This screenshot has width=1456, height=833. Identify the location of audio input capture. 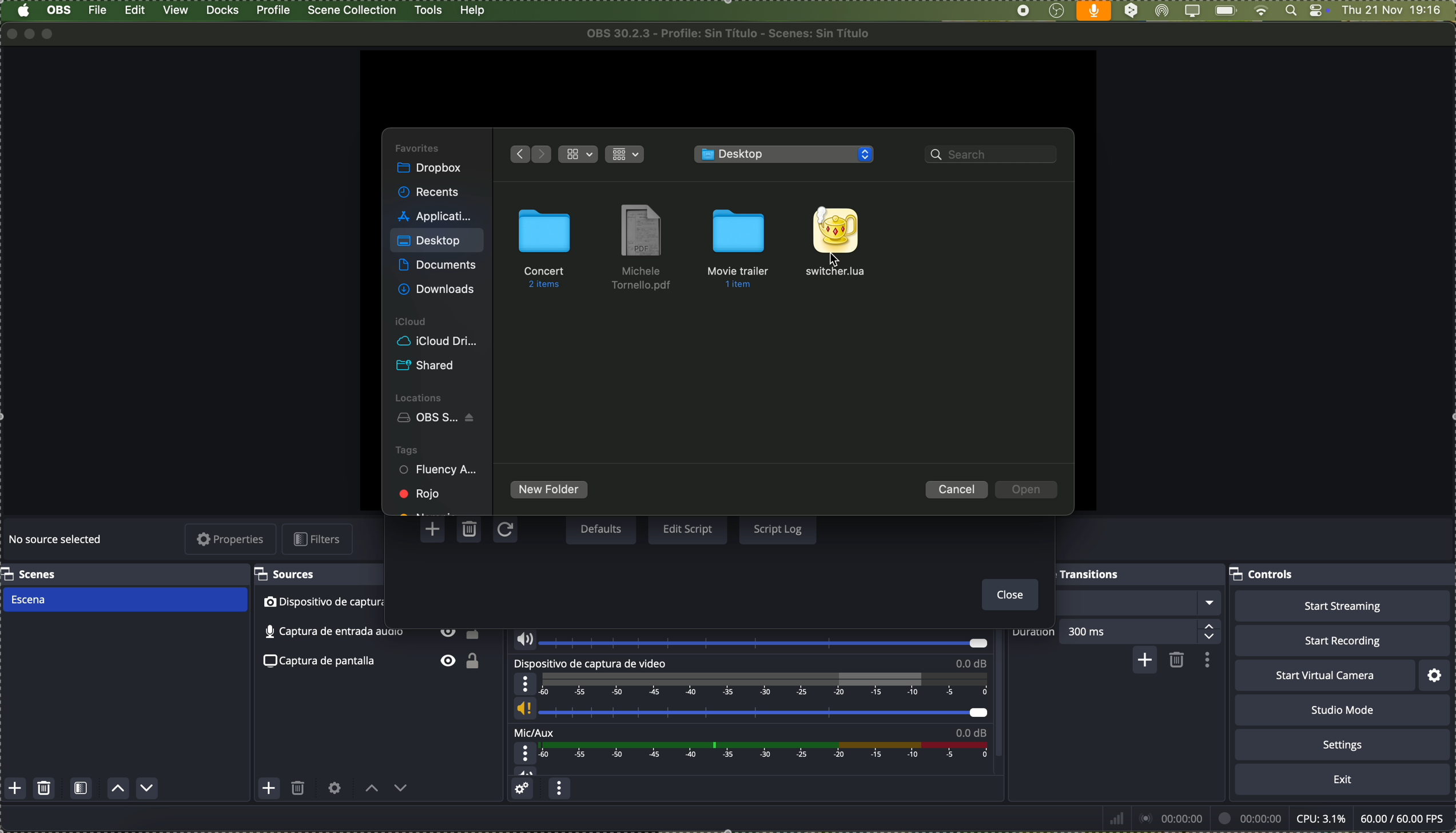
(748, 639).